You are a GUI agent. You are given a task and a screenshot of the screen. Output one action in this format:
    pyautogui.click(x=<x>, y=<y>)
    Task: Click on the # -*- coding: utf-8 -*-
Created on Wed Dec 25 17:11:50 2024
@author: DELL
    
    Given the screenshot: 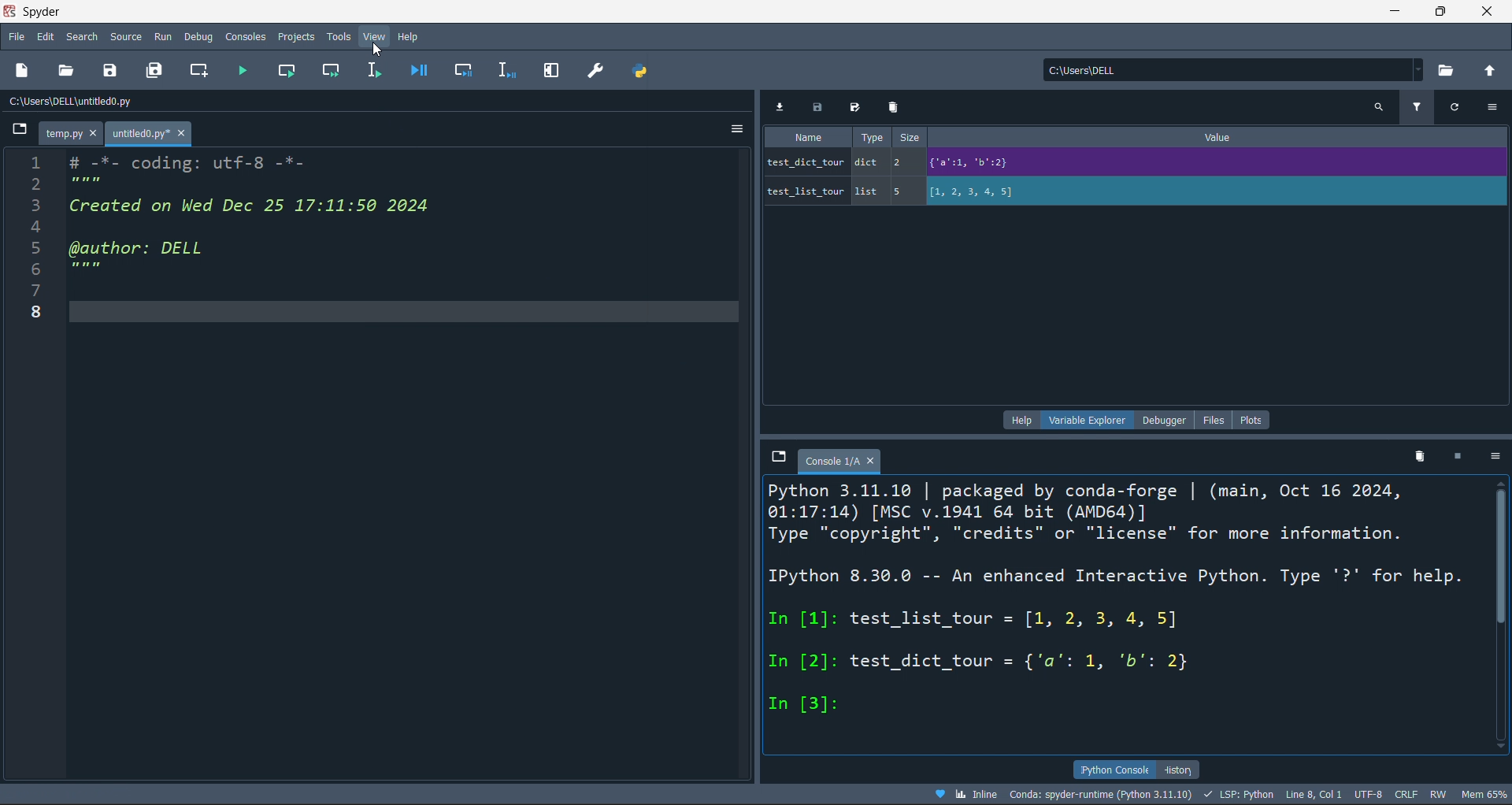 What is the action you would take?
    pyautogui.click(x=261, y=236)
    